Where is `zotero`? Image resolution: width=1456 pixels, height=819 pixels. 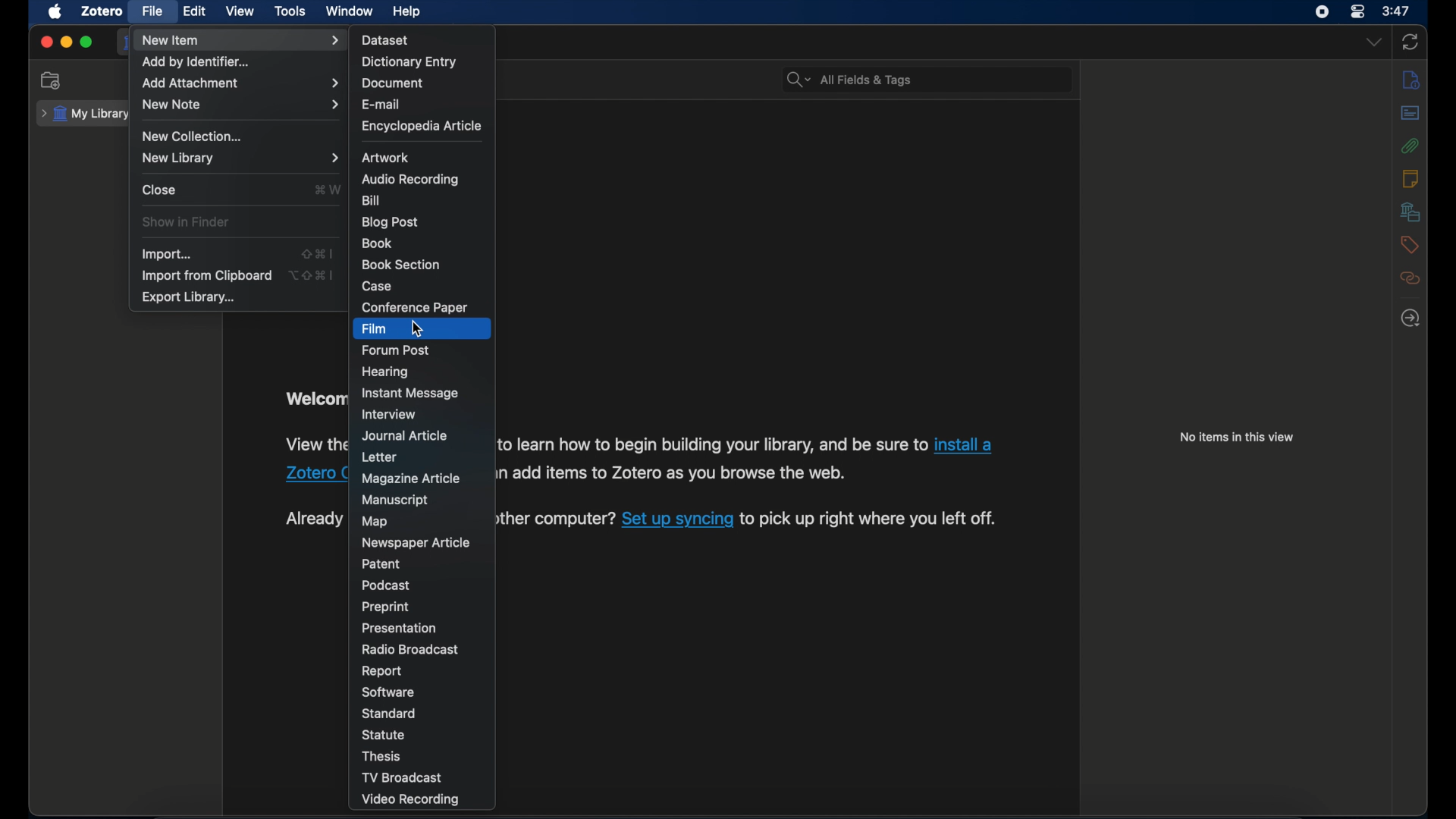
zotero is located at coordinates (103, 11).